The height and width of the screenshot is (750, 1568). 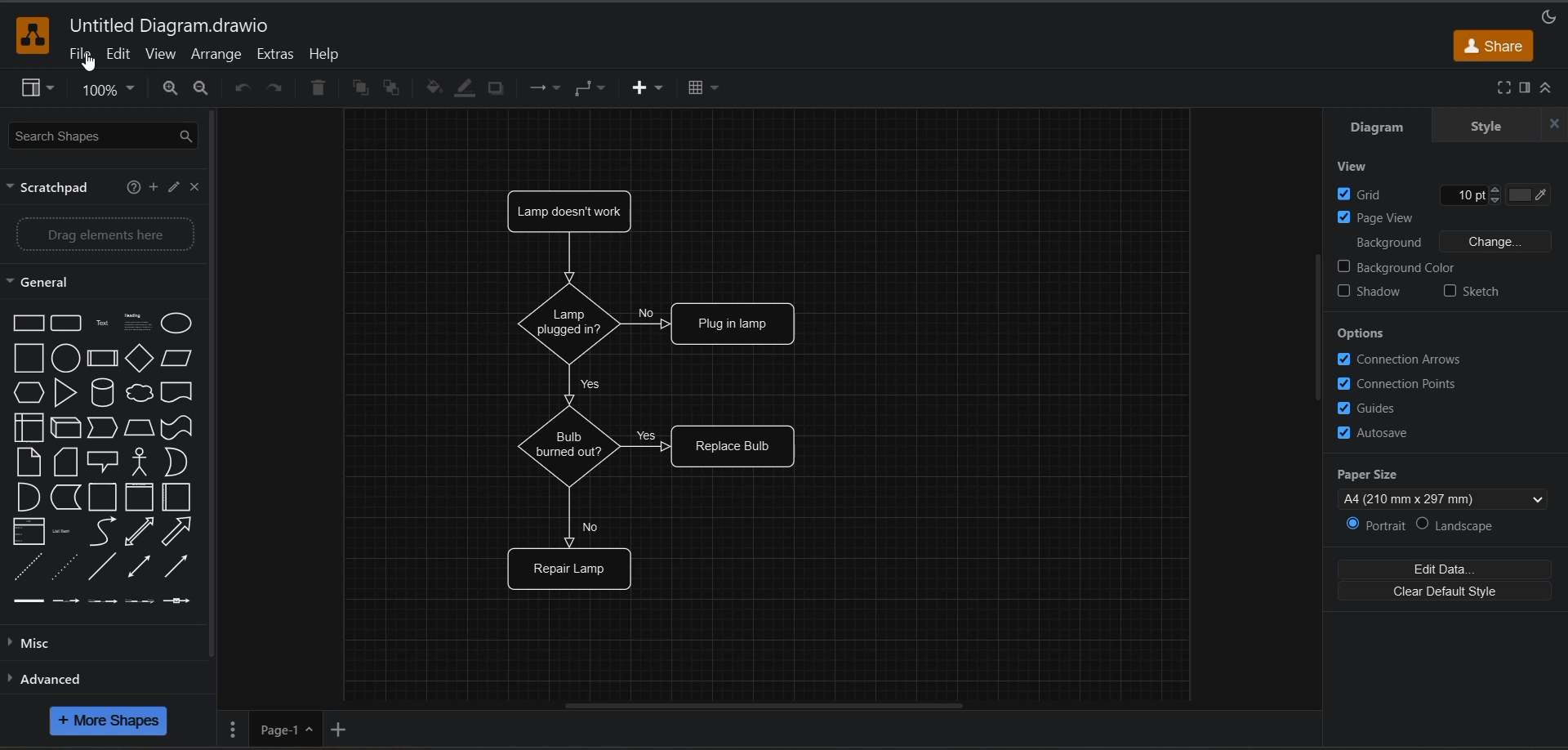 I want to click on app logo, so click(x=33, y=35).